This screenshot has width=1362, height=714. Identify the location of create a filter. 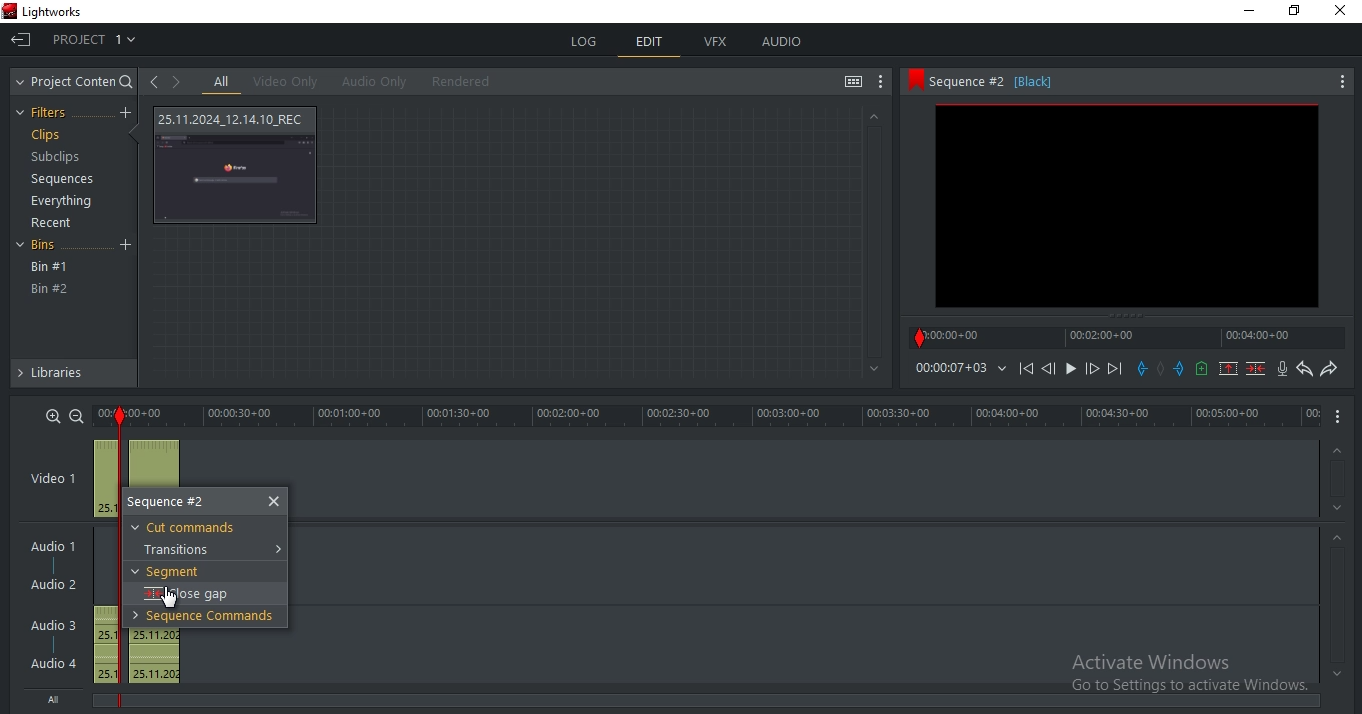
(125, 113).